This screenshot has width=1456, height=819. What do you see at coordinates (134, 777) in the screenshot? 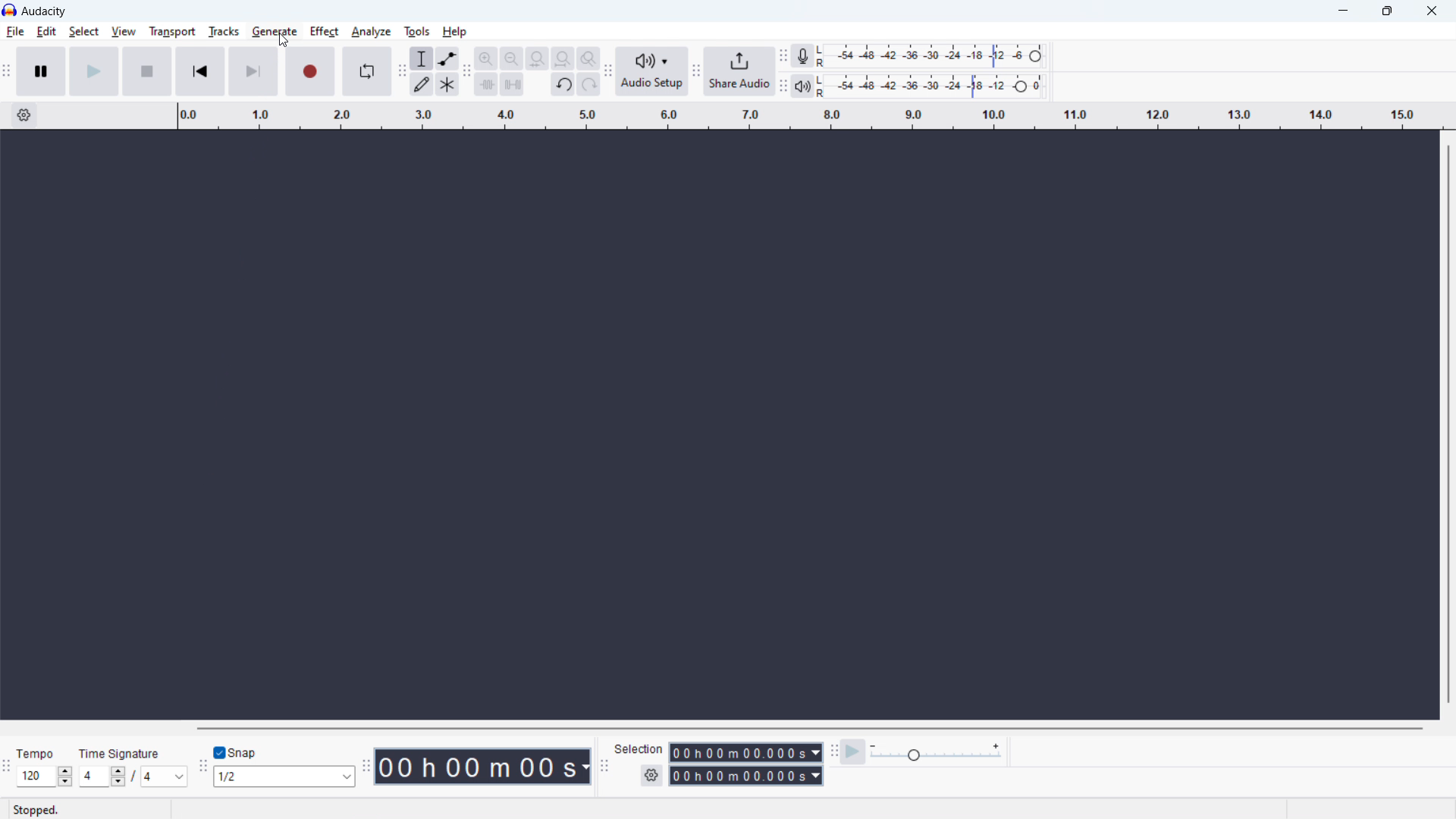
I see `set time signature` at bounding box center [134, 777].